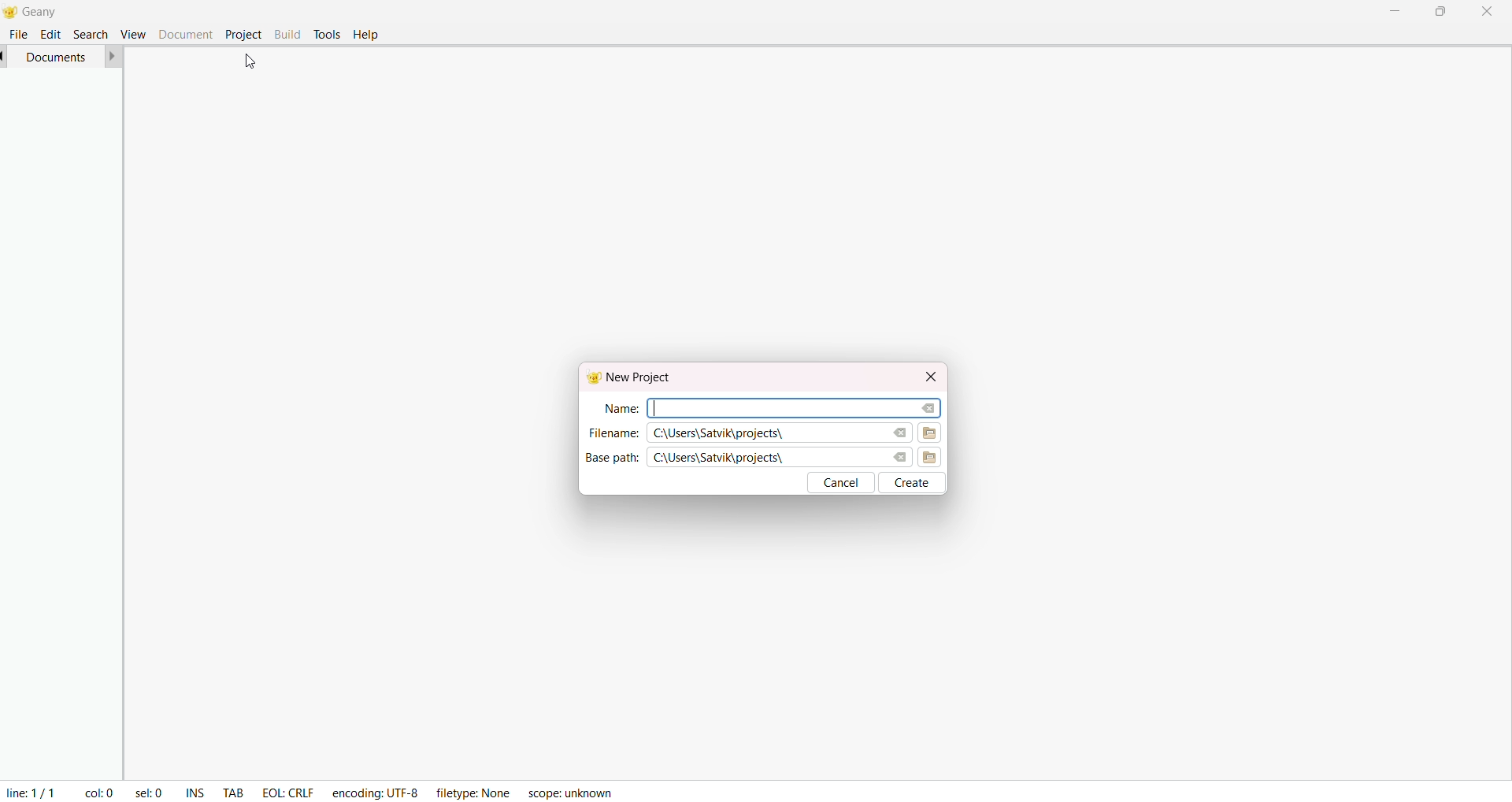  Describe the element at coordinates (643, 377) in the screenshot. I see `New Project` at that location.